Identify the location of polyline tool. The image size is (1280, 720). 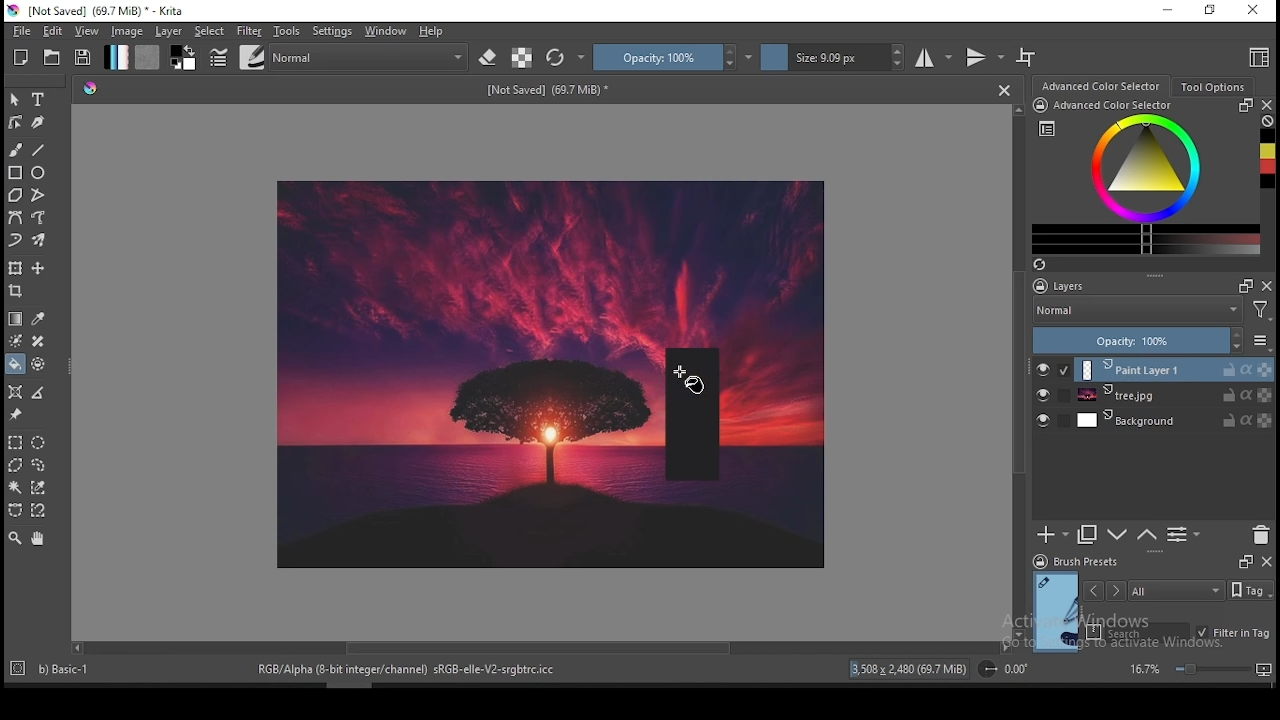
(38, 194).